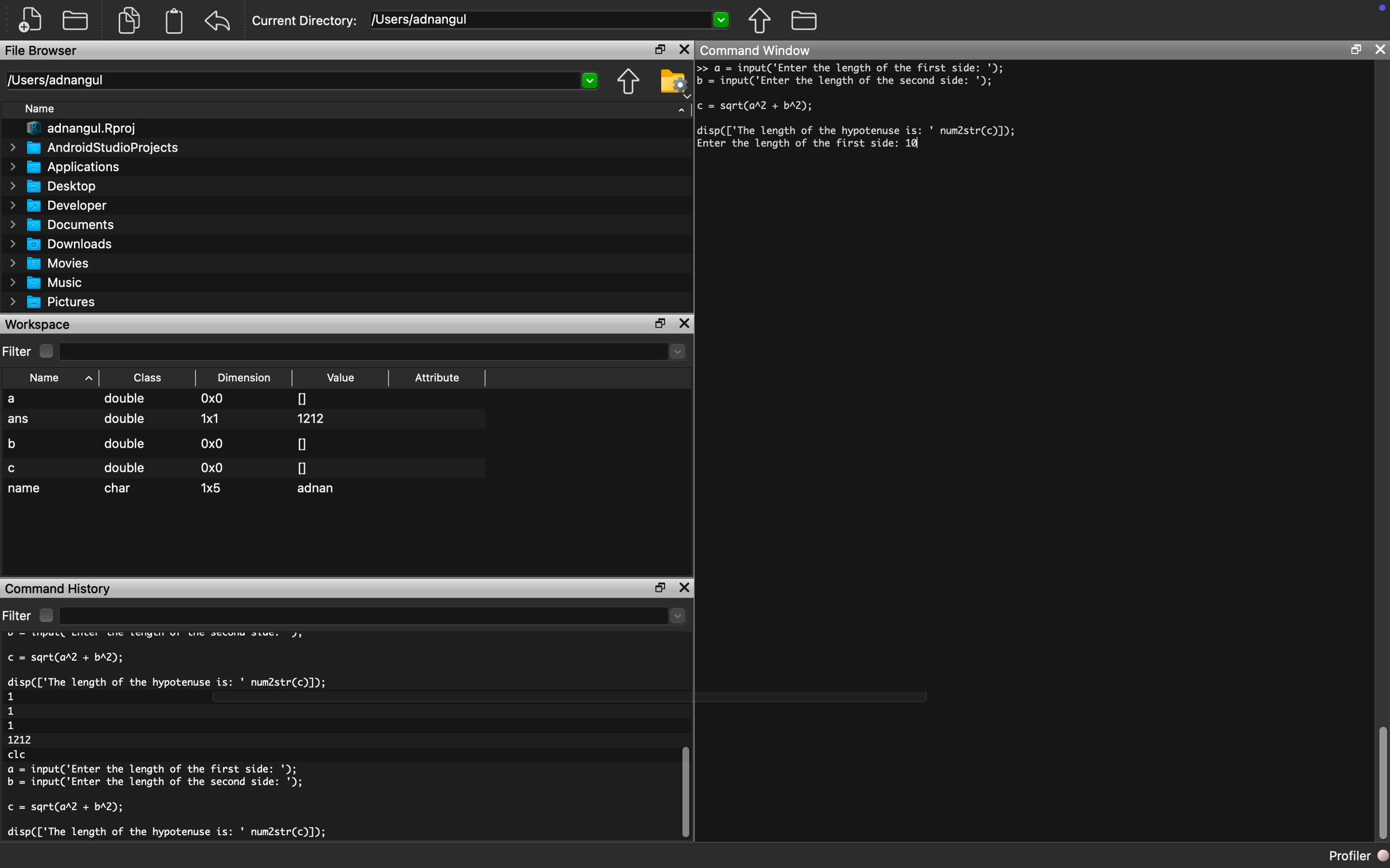  I want to click on 1x1, so click(210, 418).